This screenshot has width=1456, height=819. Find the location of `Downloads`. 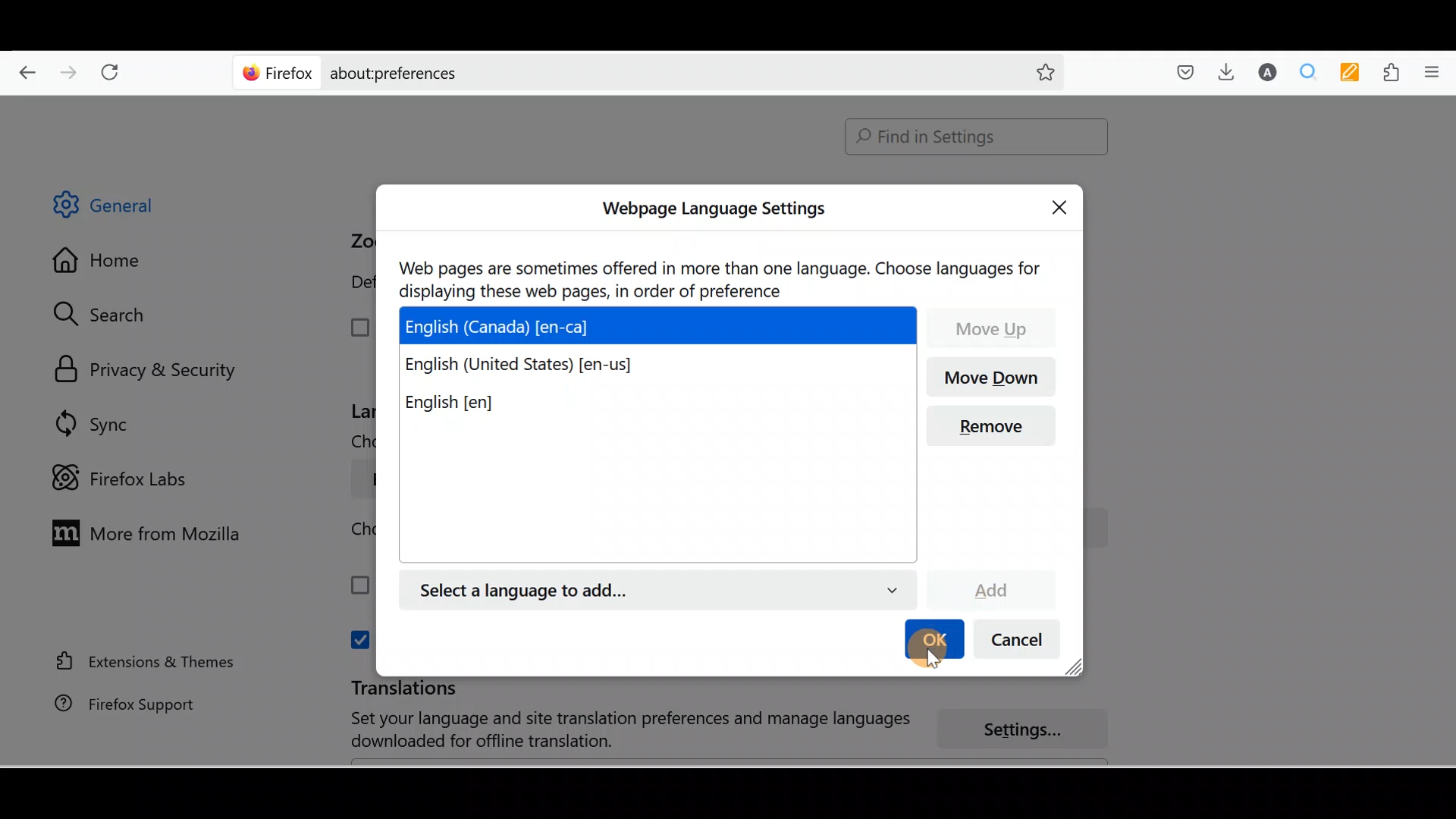

Downloads is located at coordinates (1222, 71).